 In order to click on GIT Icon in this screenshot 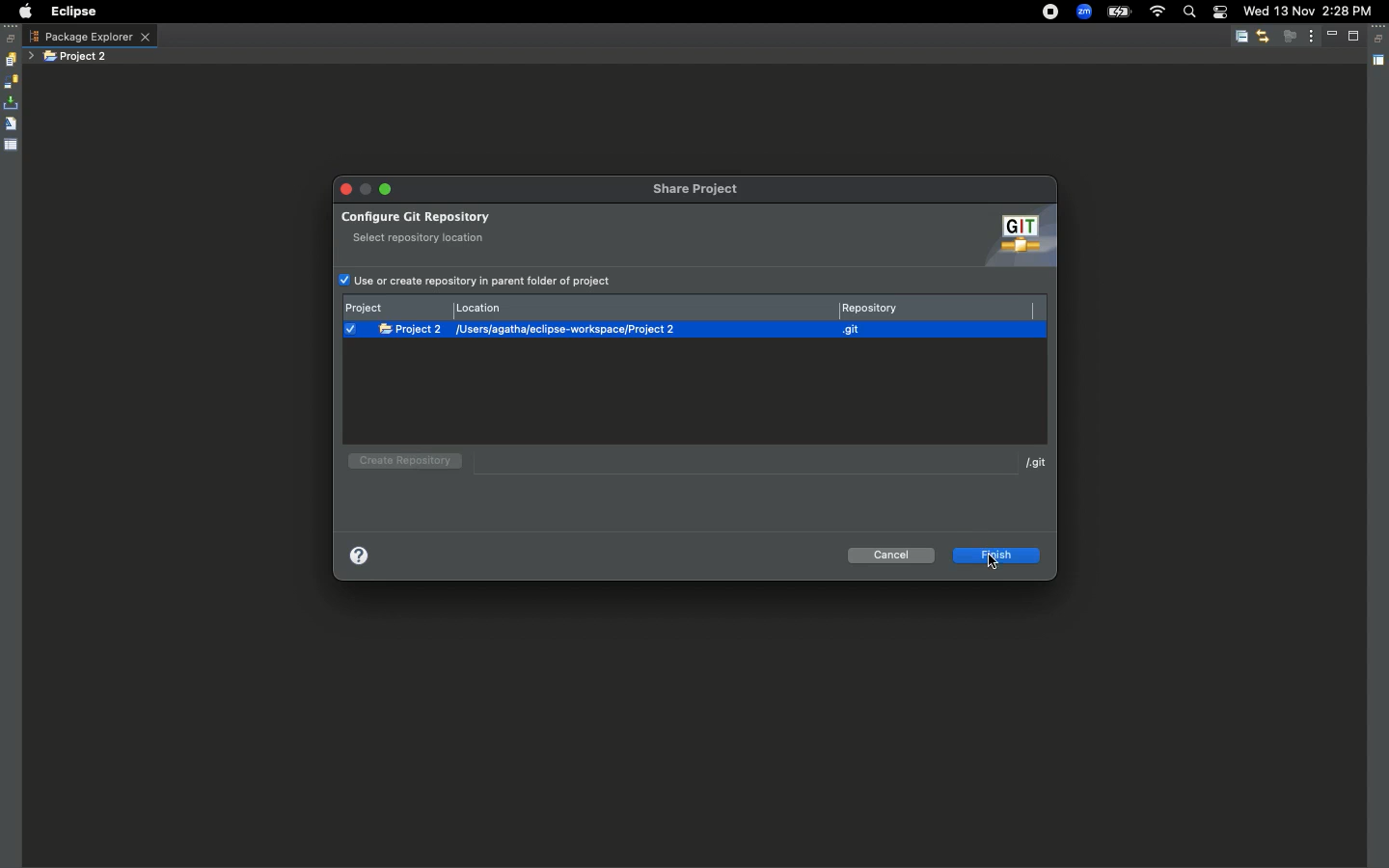, I will do `click(1015, 237)`.